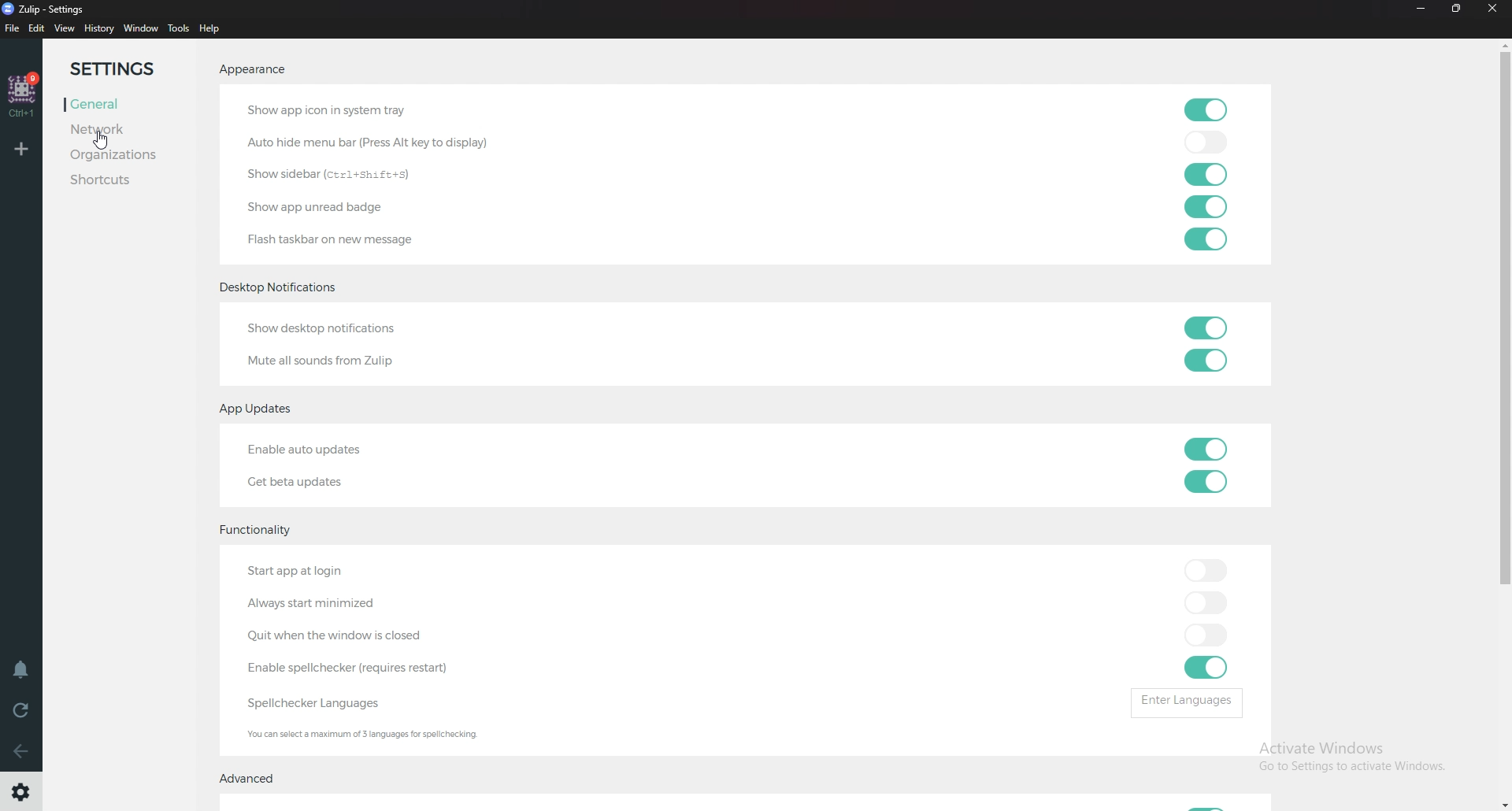 The width and height of the screenshot is (1512, 811). What do you see at coordinates (362, 329) in the screenshot?
I see `Show desktop notifications` at bounding box center [362, 329].